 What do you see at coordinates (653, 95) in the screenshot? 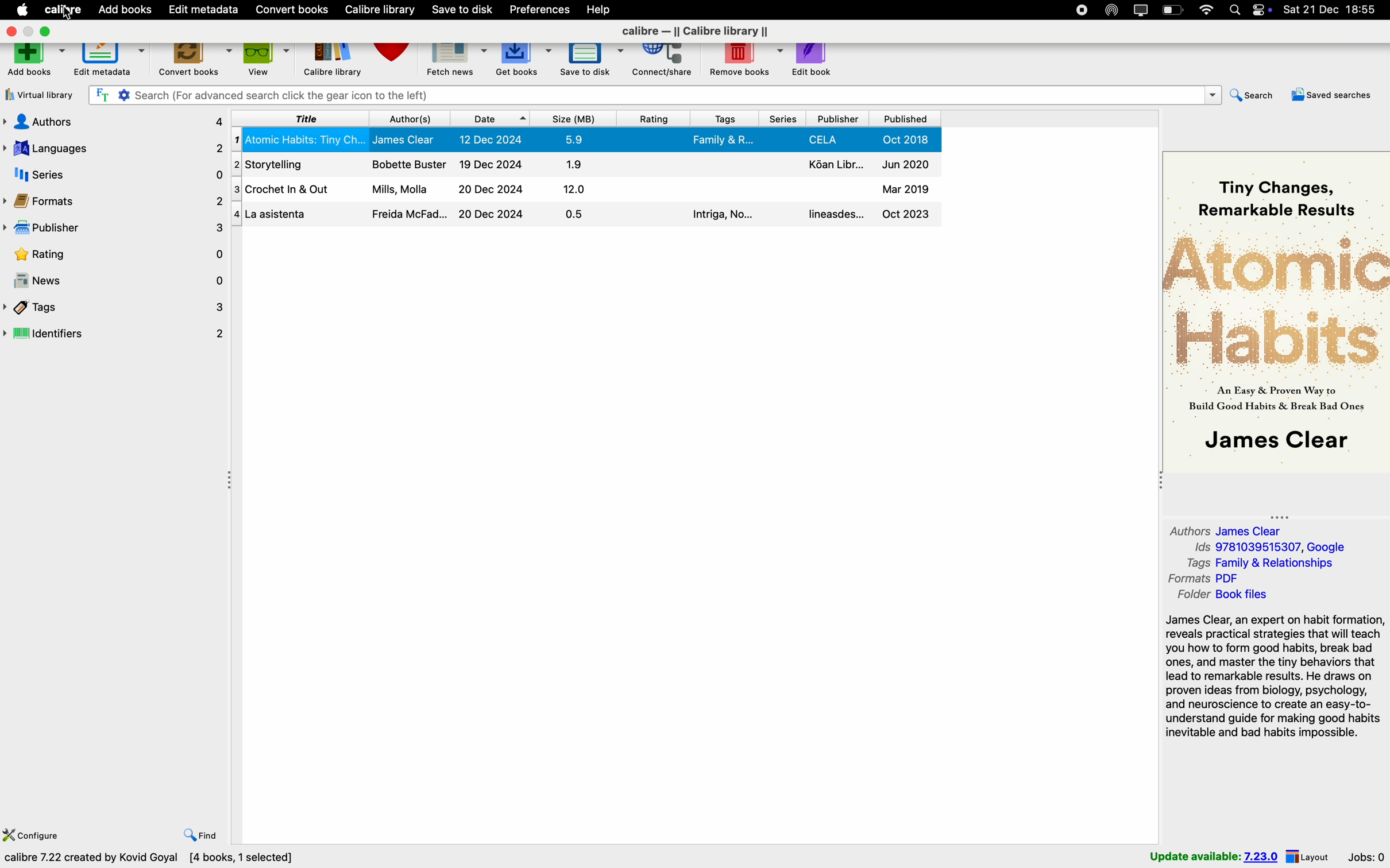
I see `search bar` at bounding box center [653, 95].